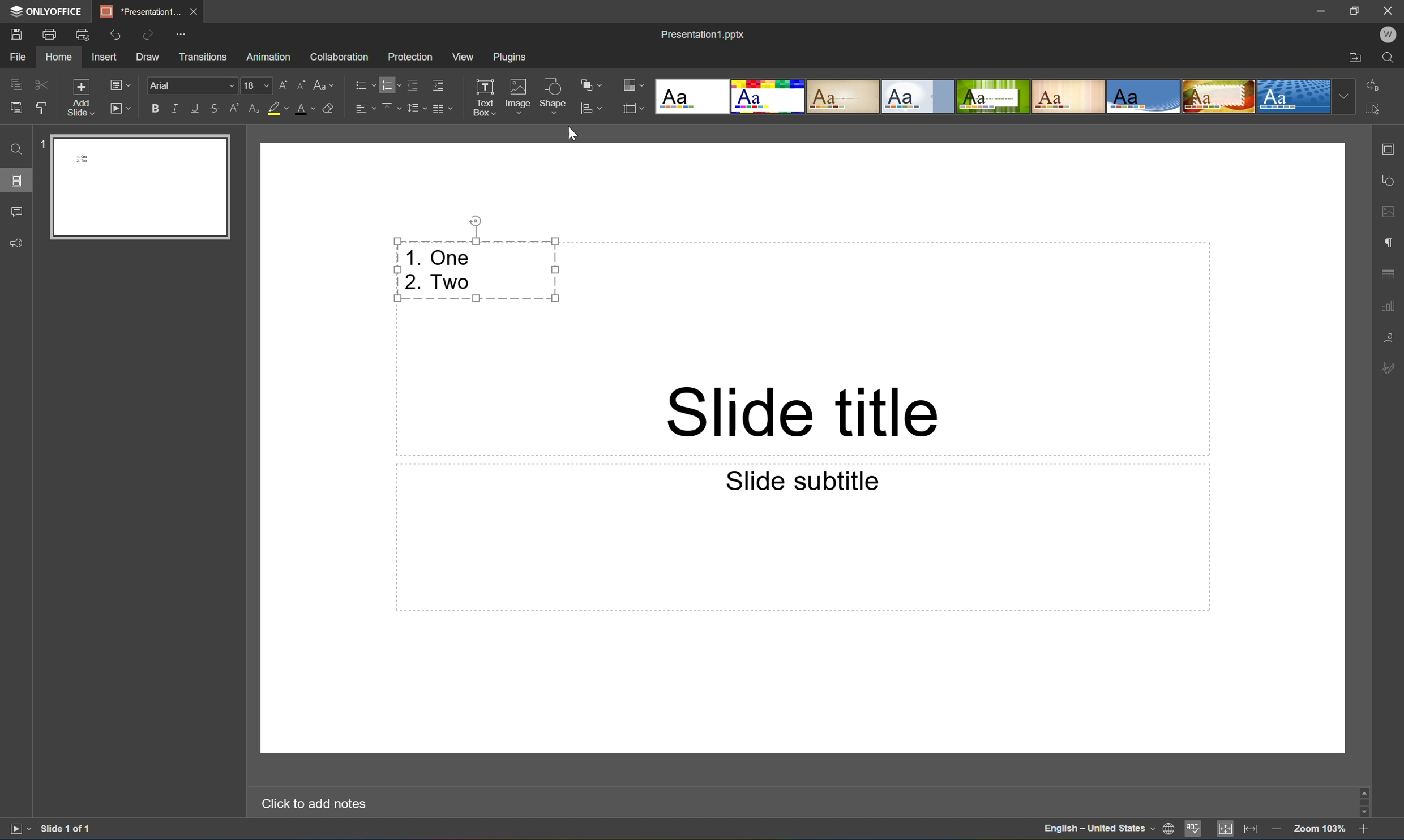  What do you see at coordinates (632, 108) in the screenshot?
I see `Change slide size` at bounding box center [632, 108].